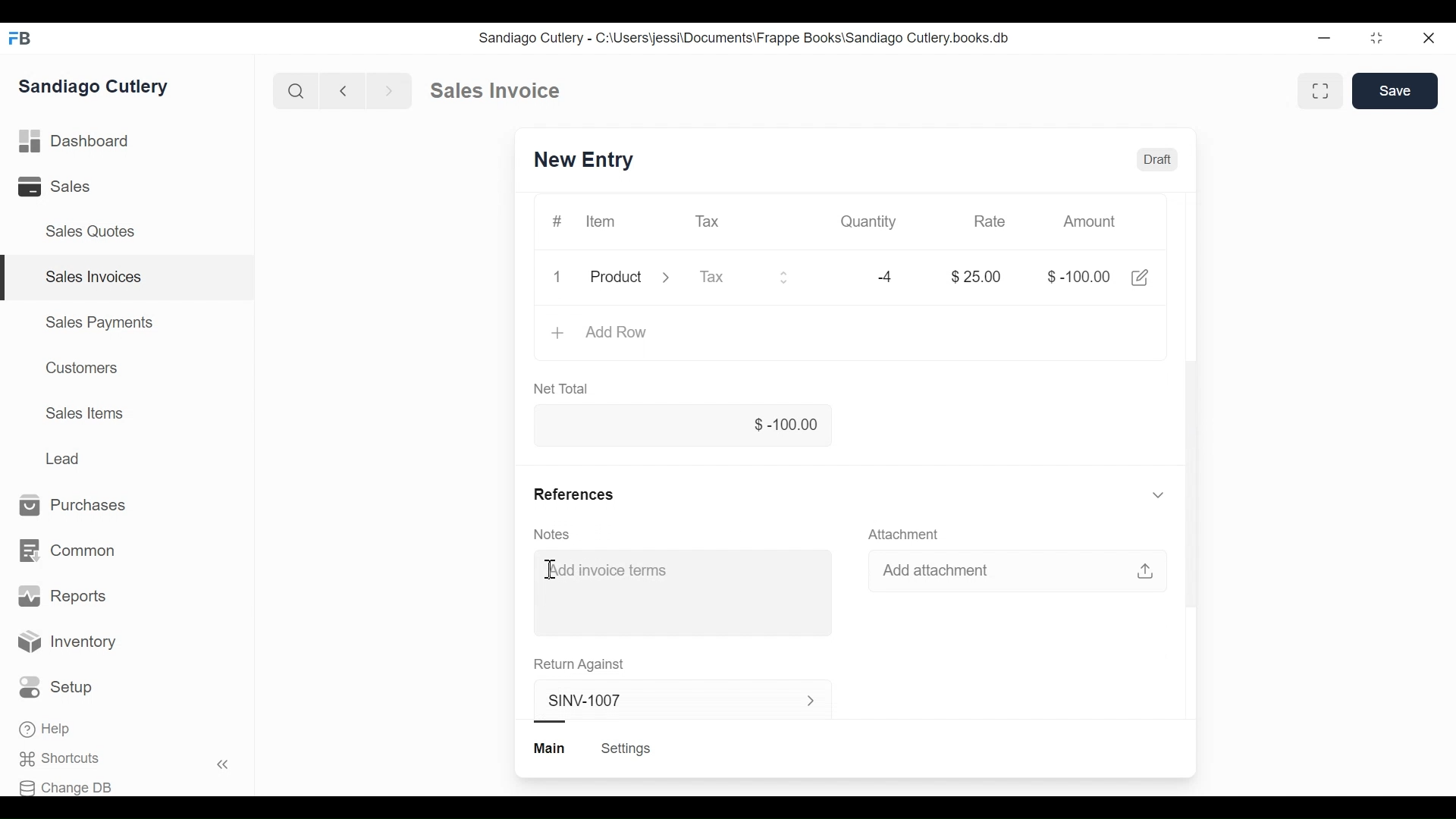 This screenshot has width=1456, height=819. Describe the element at coordinates (84, 413) in the screenshot. I see `Sales Items` at that location.